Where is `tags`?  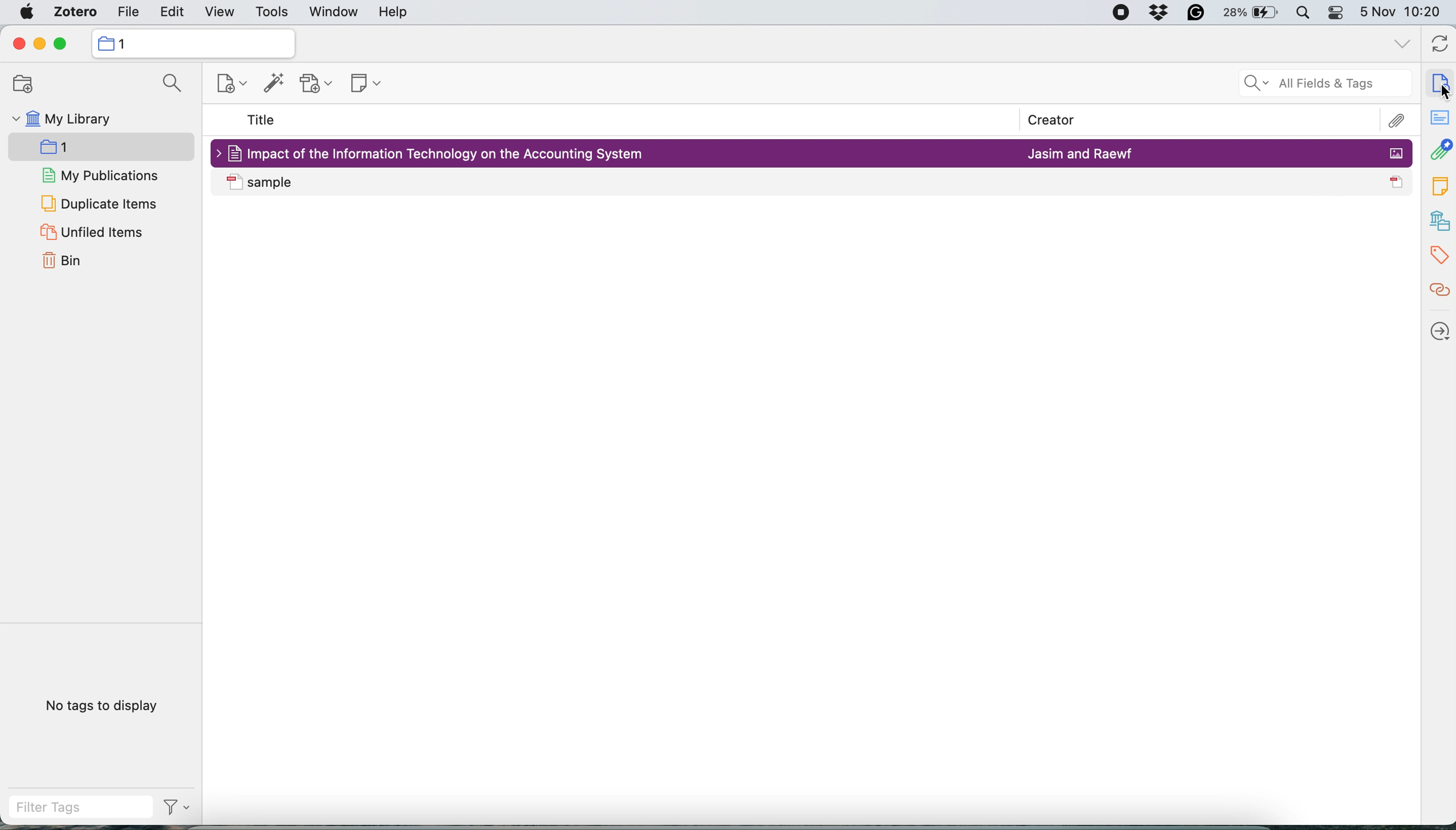 tags is located at coordinates (1439, 257).